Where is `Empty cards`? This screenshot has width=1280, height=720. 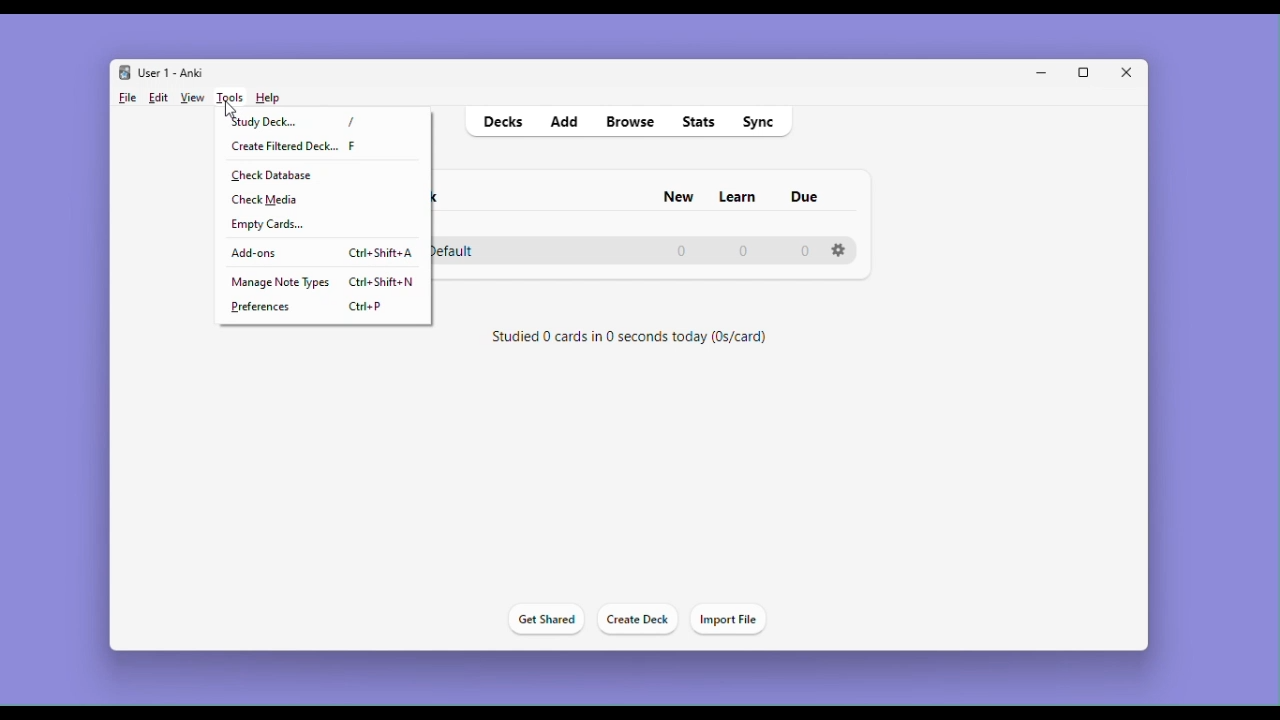 Empty cards is located at coordinates (268, 226).